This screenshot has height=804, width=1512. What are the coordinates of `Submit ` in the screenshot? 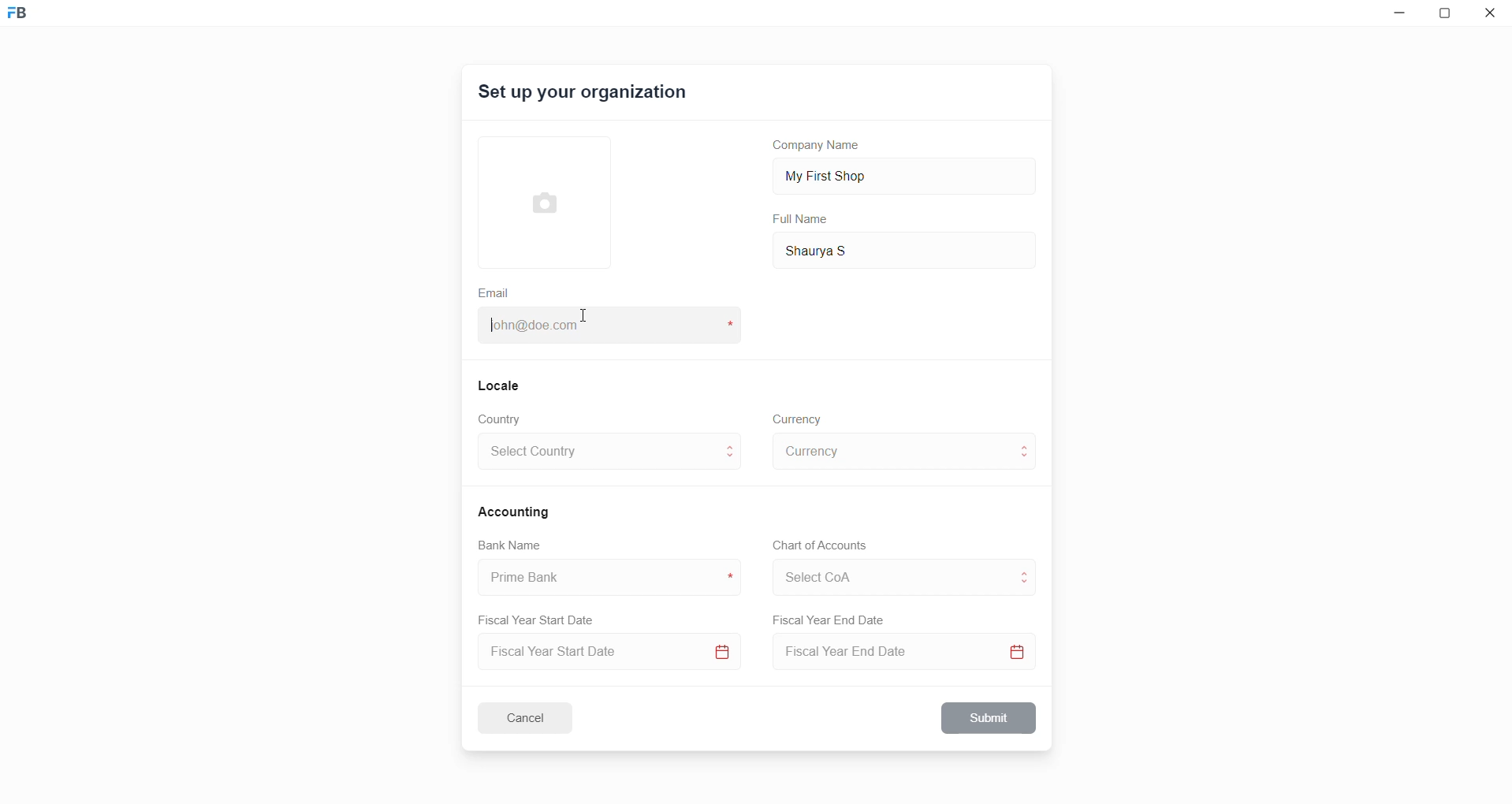 It's located at (990, 718).